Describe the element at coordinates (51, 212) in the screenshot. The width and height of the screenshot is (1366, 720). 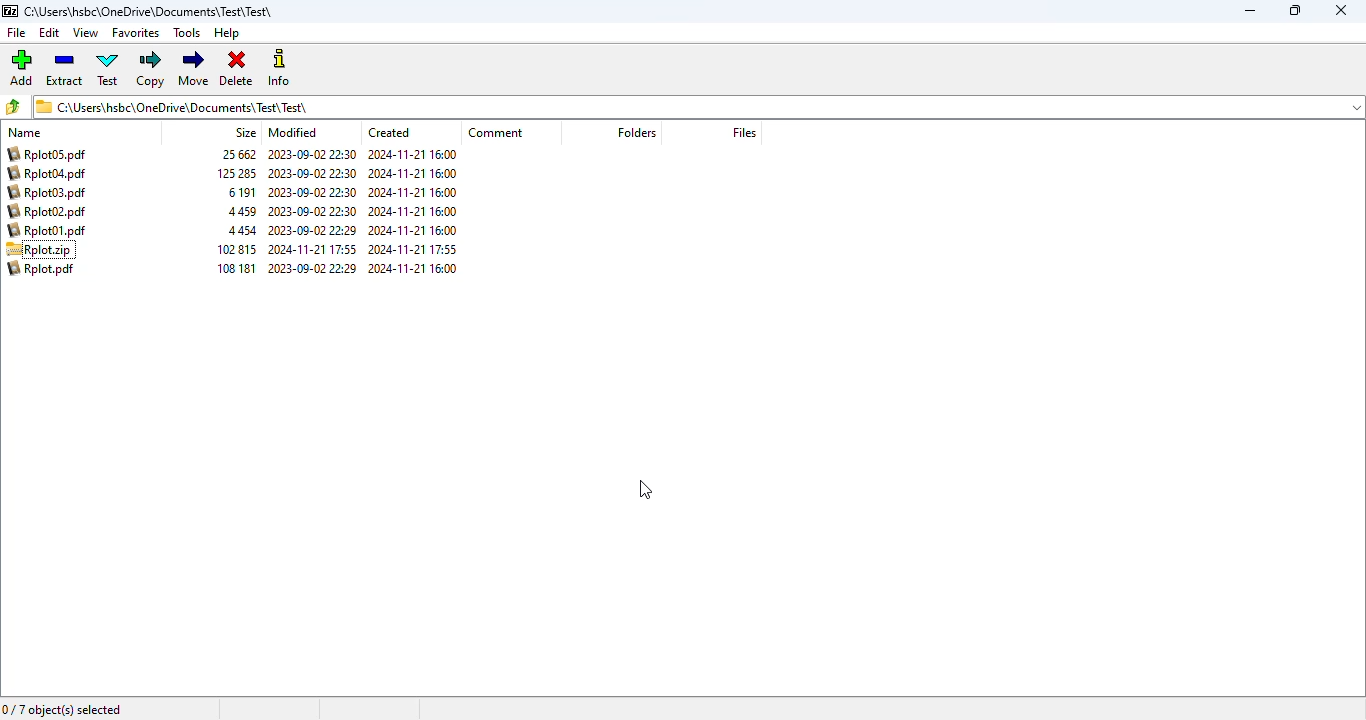
I see `Rplot02.pdf` at that location.